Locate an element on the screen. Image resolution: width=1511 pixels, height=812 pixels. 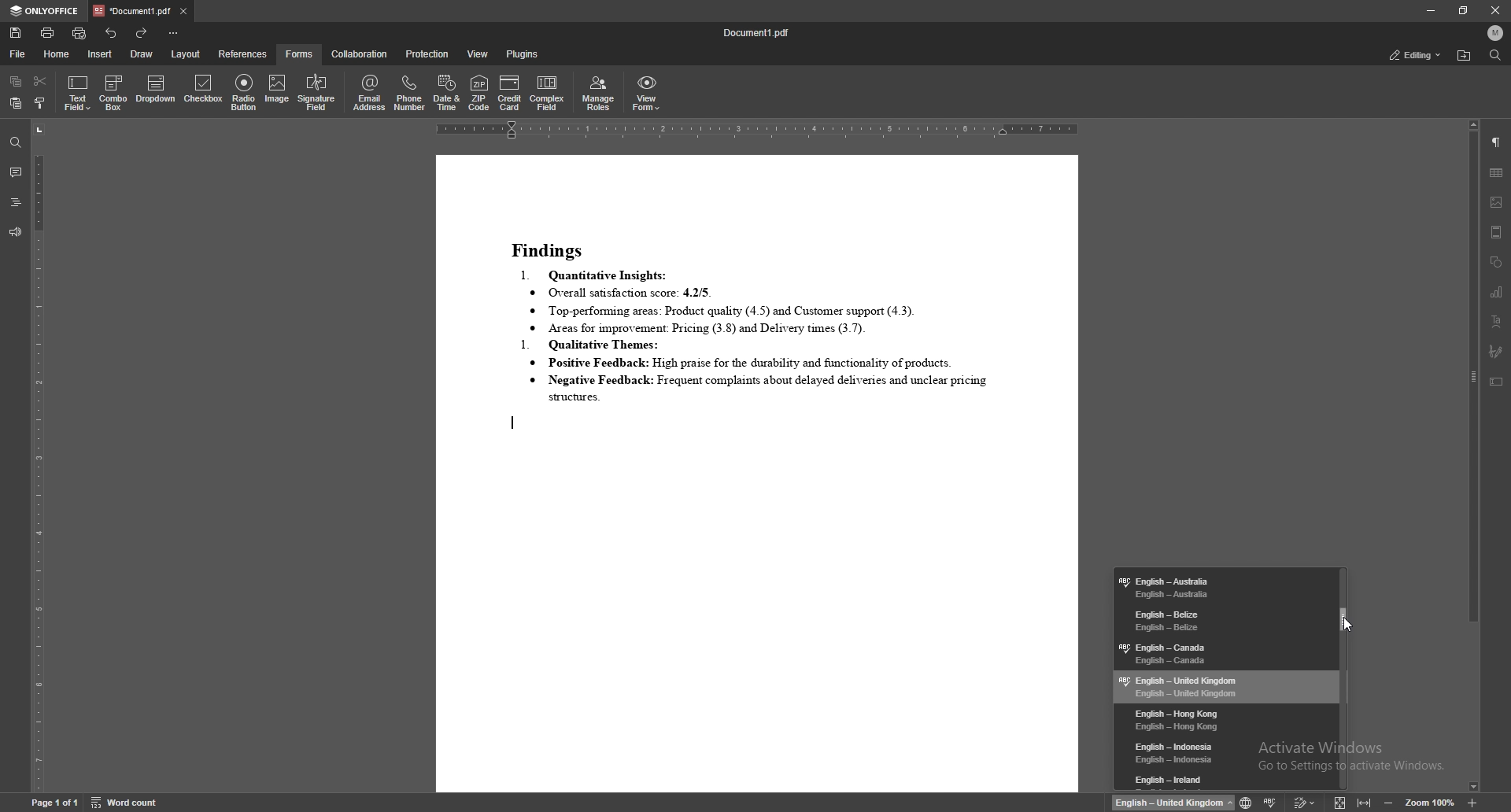
fit to screen is located at coordinates (1337, 802).